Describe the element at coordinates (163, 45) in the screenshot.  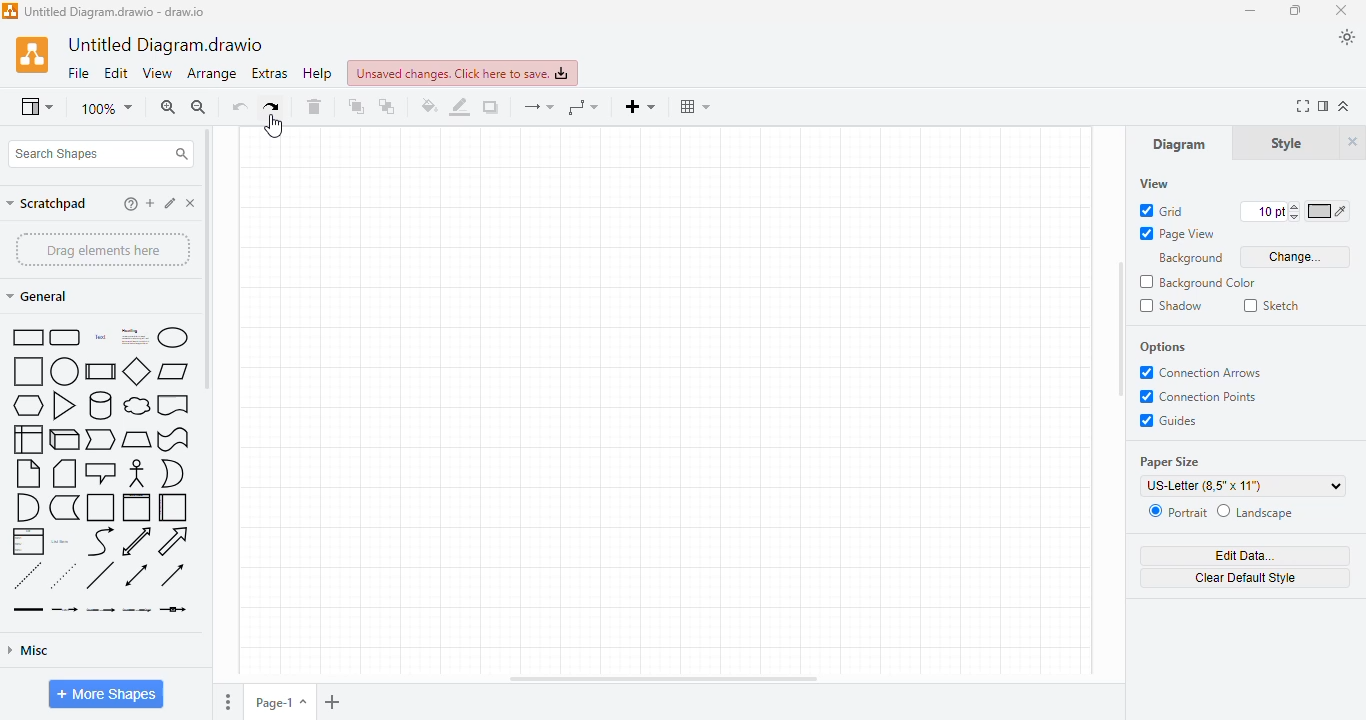
I see `title` at that location.